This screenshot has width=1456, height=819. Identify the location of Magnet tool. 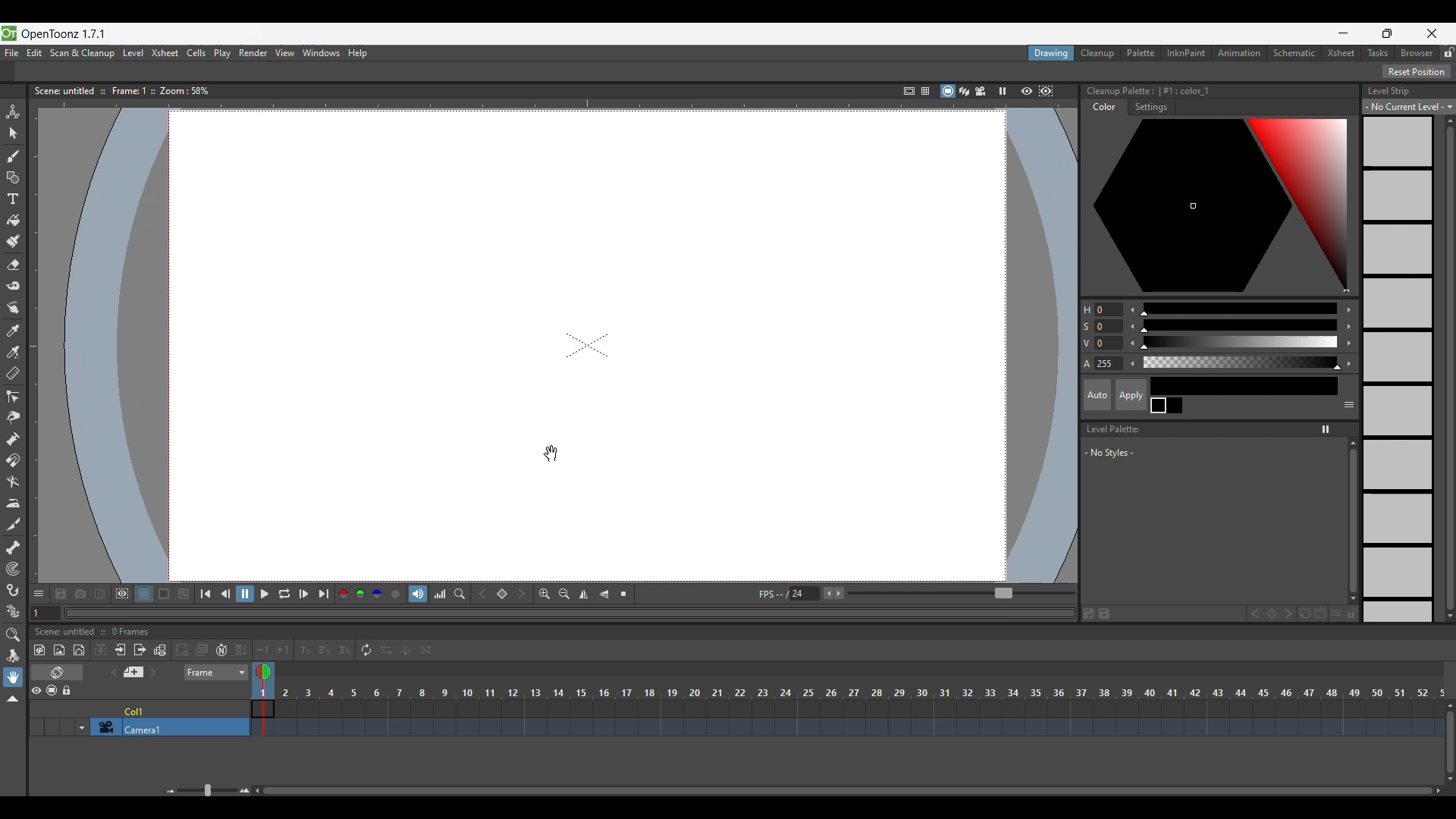
(13, 460).